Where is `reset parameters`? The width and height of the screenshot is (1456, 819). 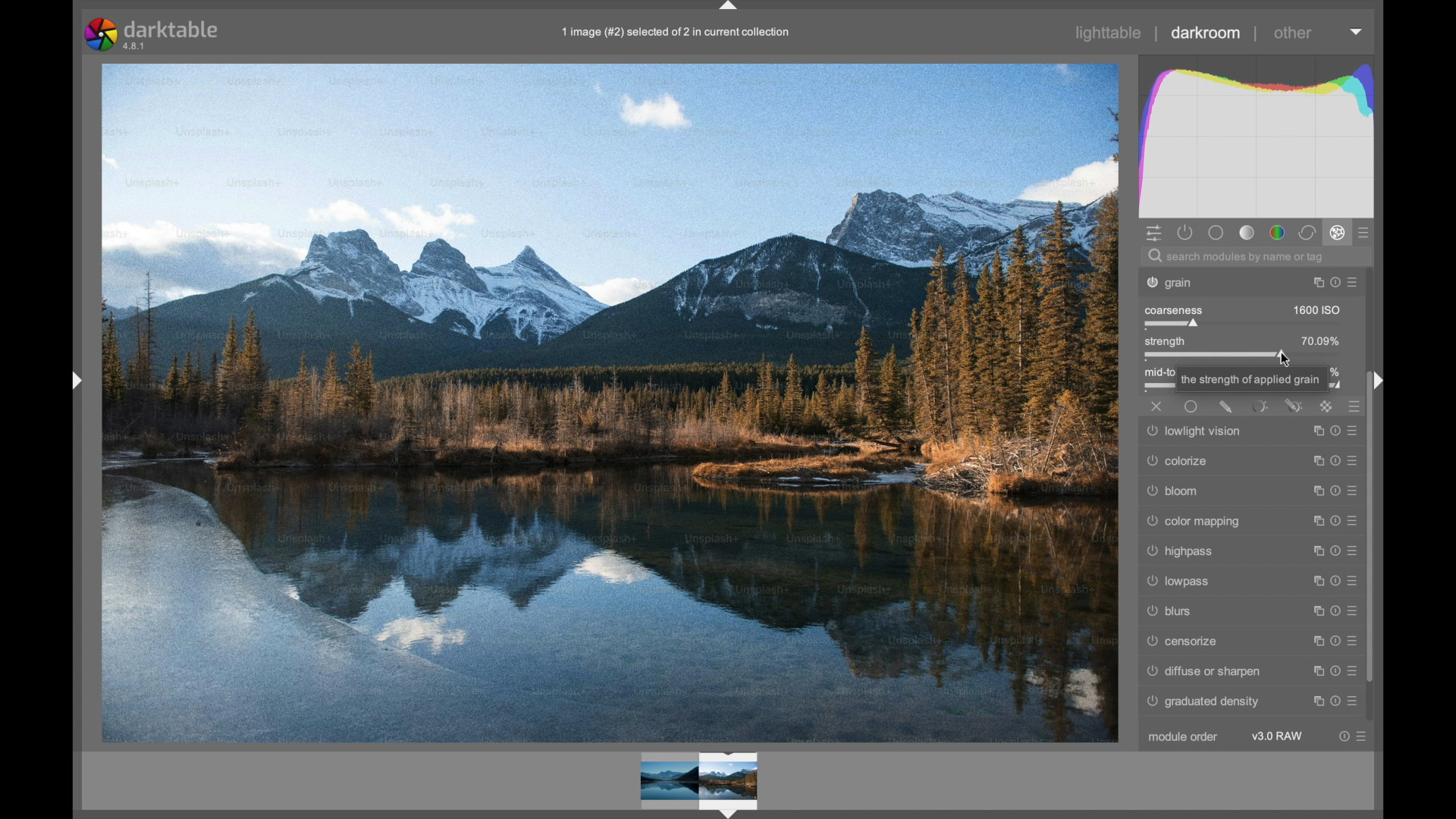 reset parameters is located at coordinates (1335, 582).